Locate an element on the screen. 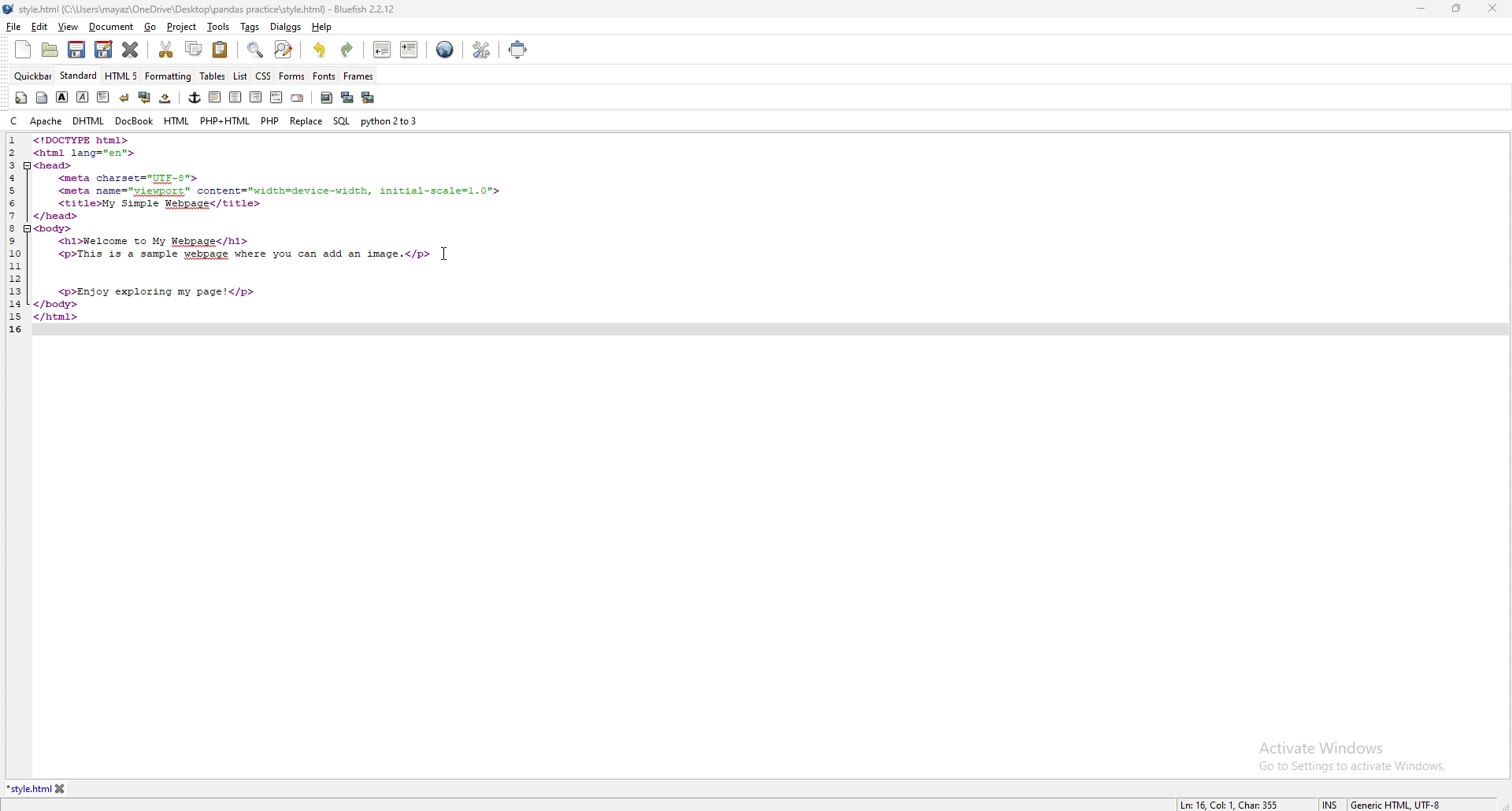 This screenshot has width=1512, height=811. standard is located at coordinates (79, 76).